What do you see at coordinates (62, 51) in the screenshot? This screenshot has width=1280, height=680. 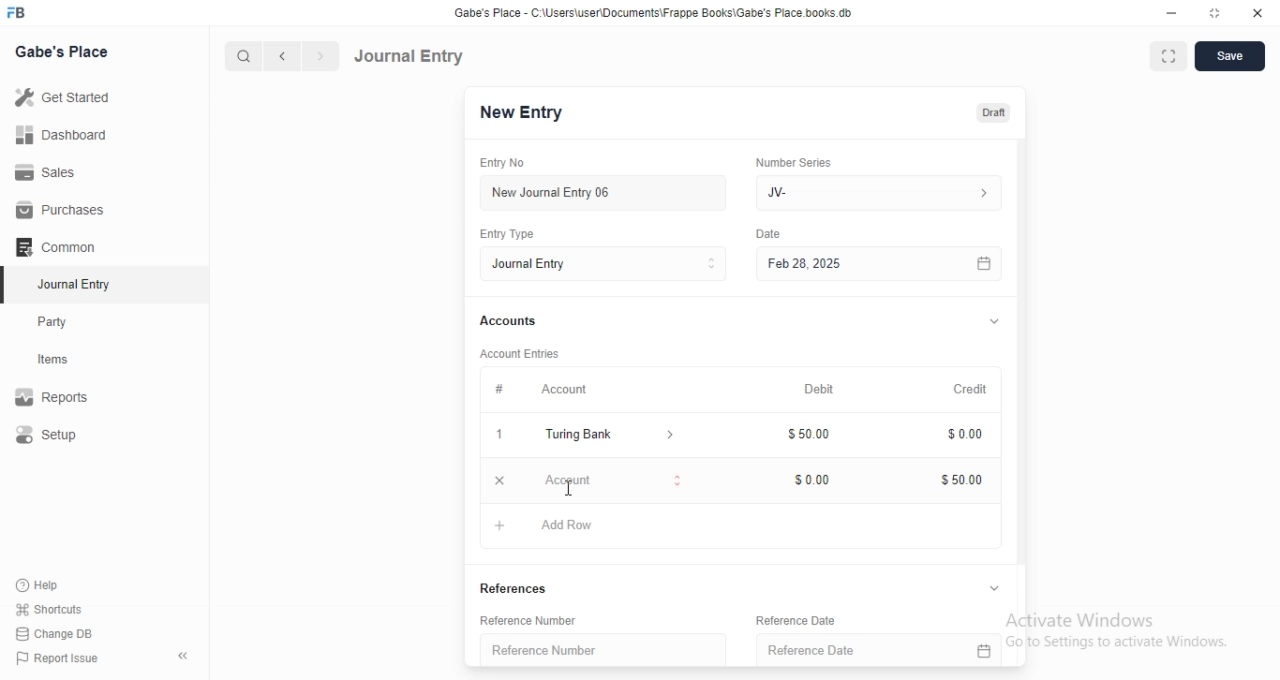 I see `Gabe's Place` at bounding box center [62, 51].